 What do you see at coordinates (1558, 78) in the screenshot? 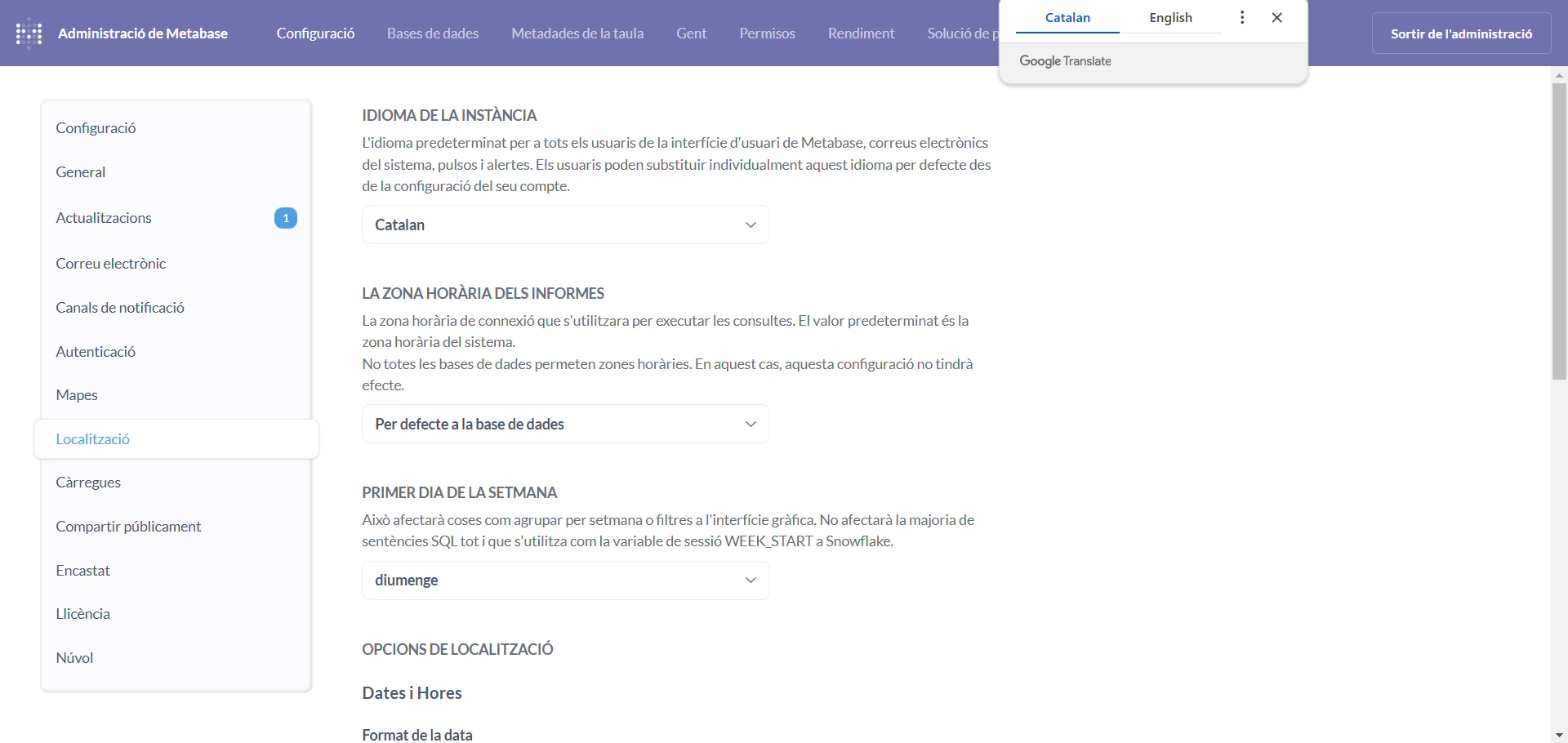
I see `MOVE UP` at bounding box center [1558, 78].